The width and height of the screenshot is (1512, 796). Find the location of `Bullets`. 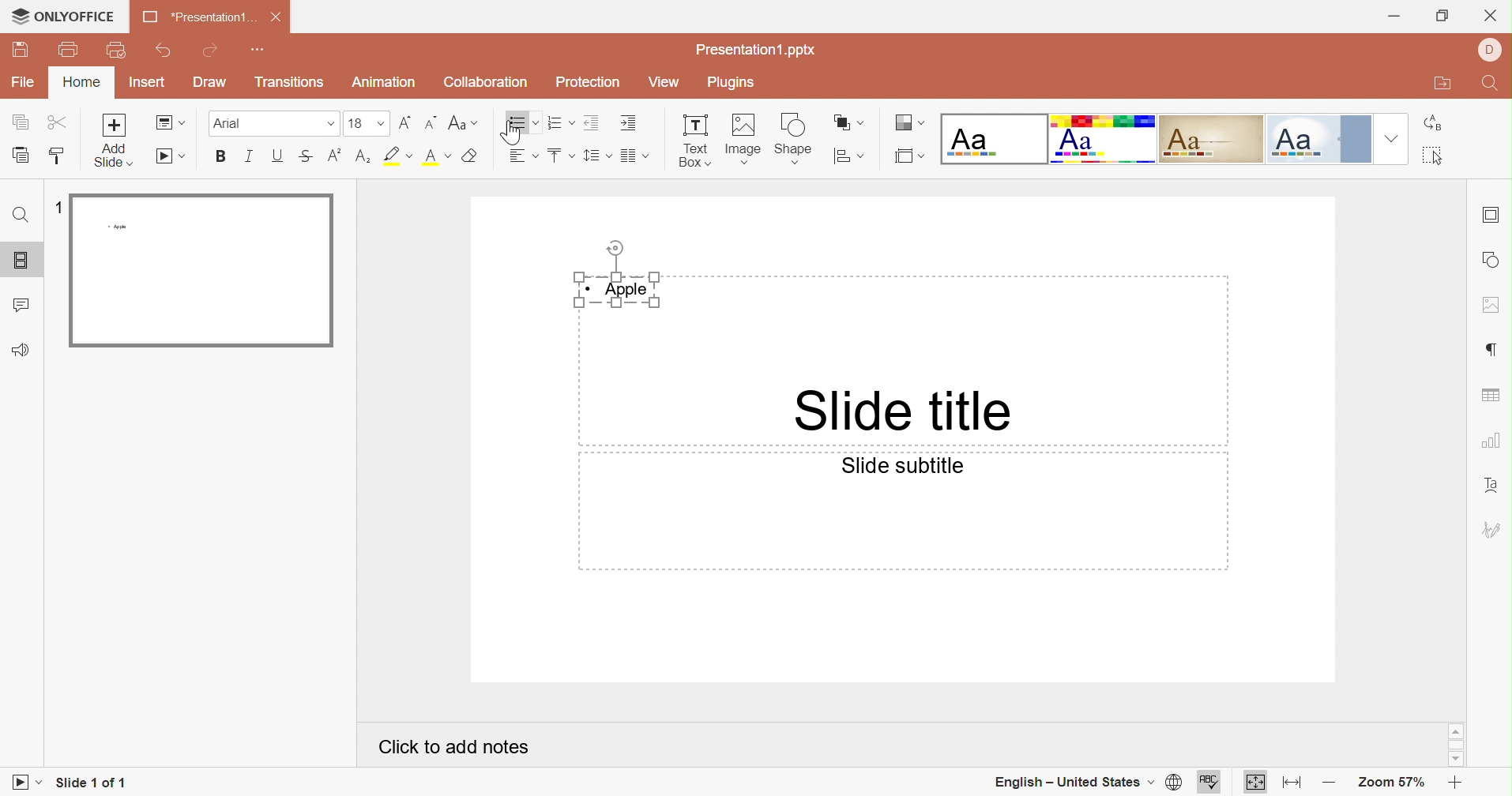

Bullets is located at coordinates (565, 156).